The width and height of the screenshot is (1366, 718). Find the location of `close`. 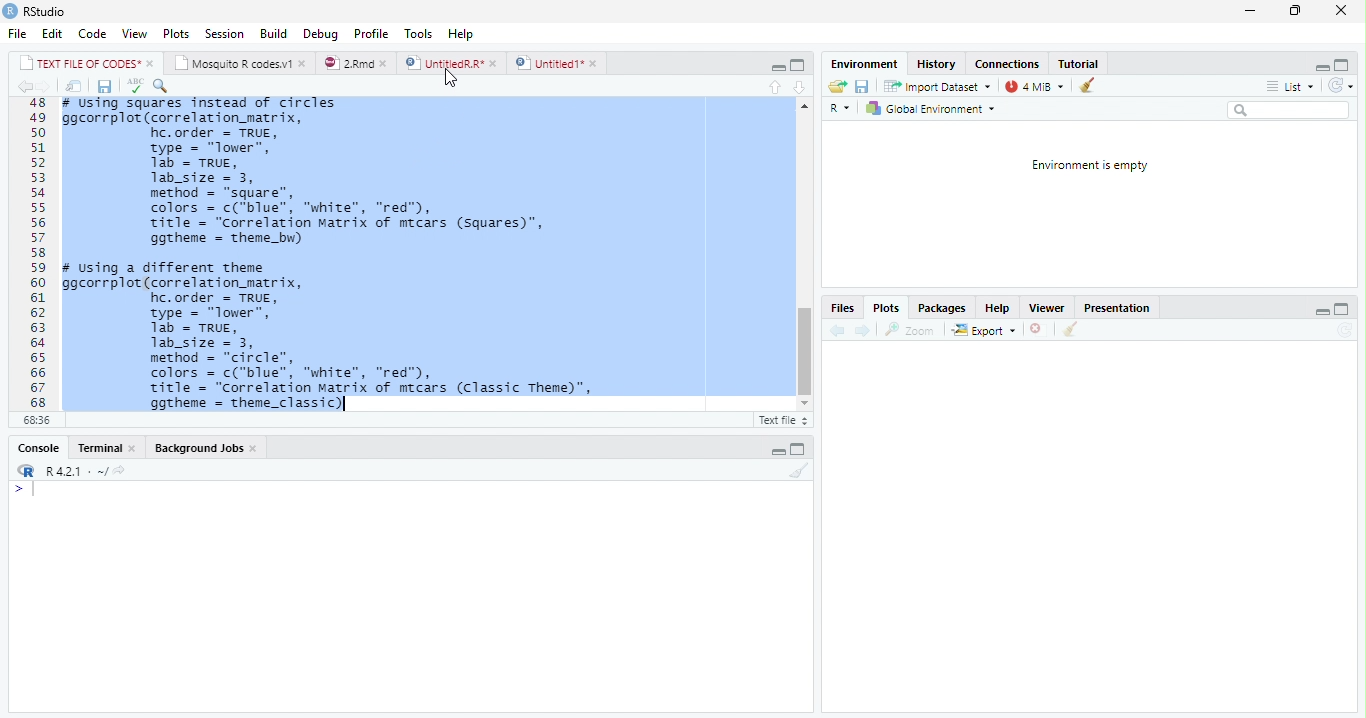

close is located at coordinates (1337, 10).